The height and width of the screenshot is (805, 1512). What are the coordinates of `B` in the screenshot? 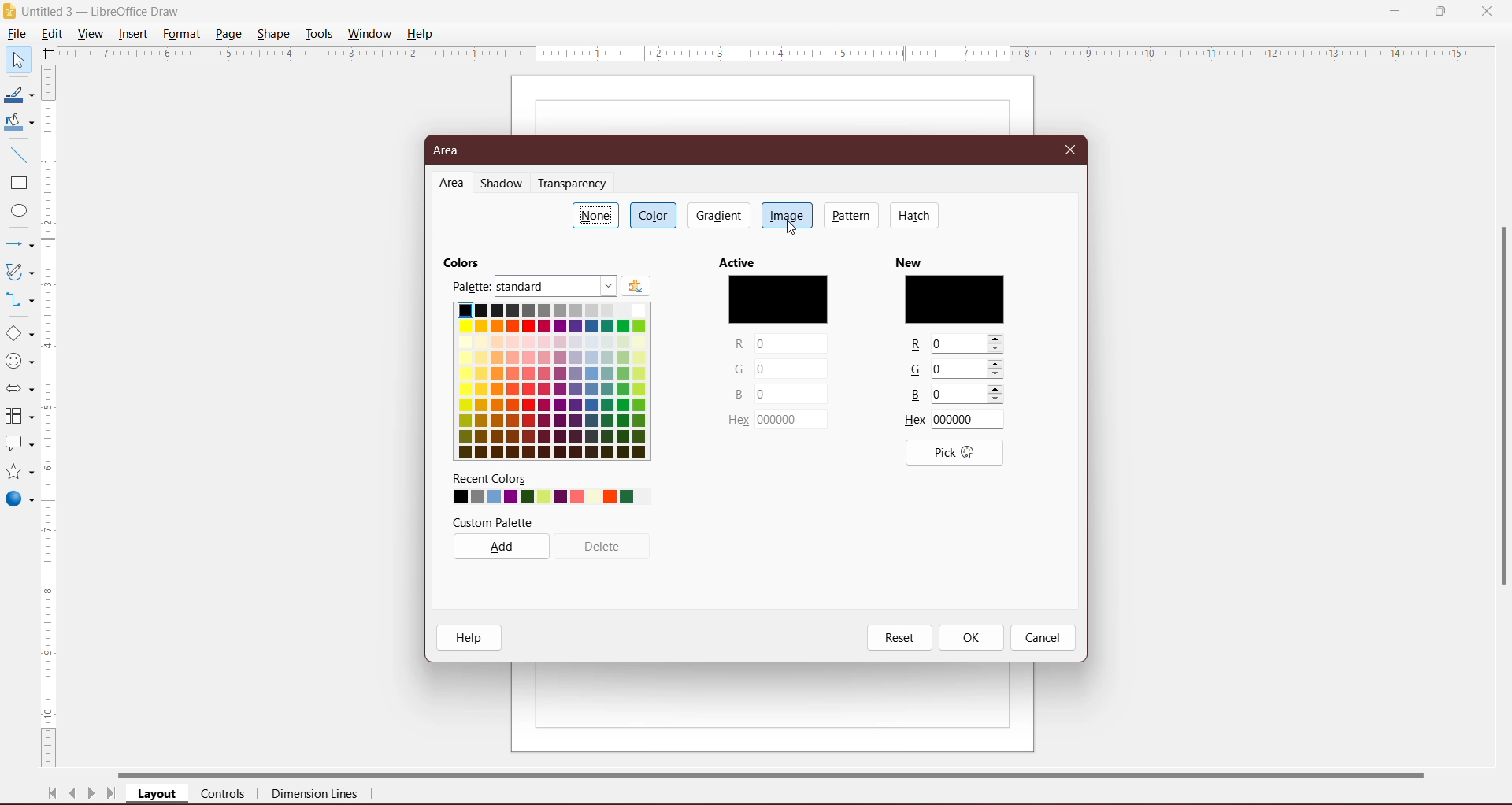 It's located at (739, 392).